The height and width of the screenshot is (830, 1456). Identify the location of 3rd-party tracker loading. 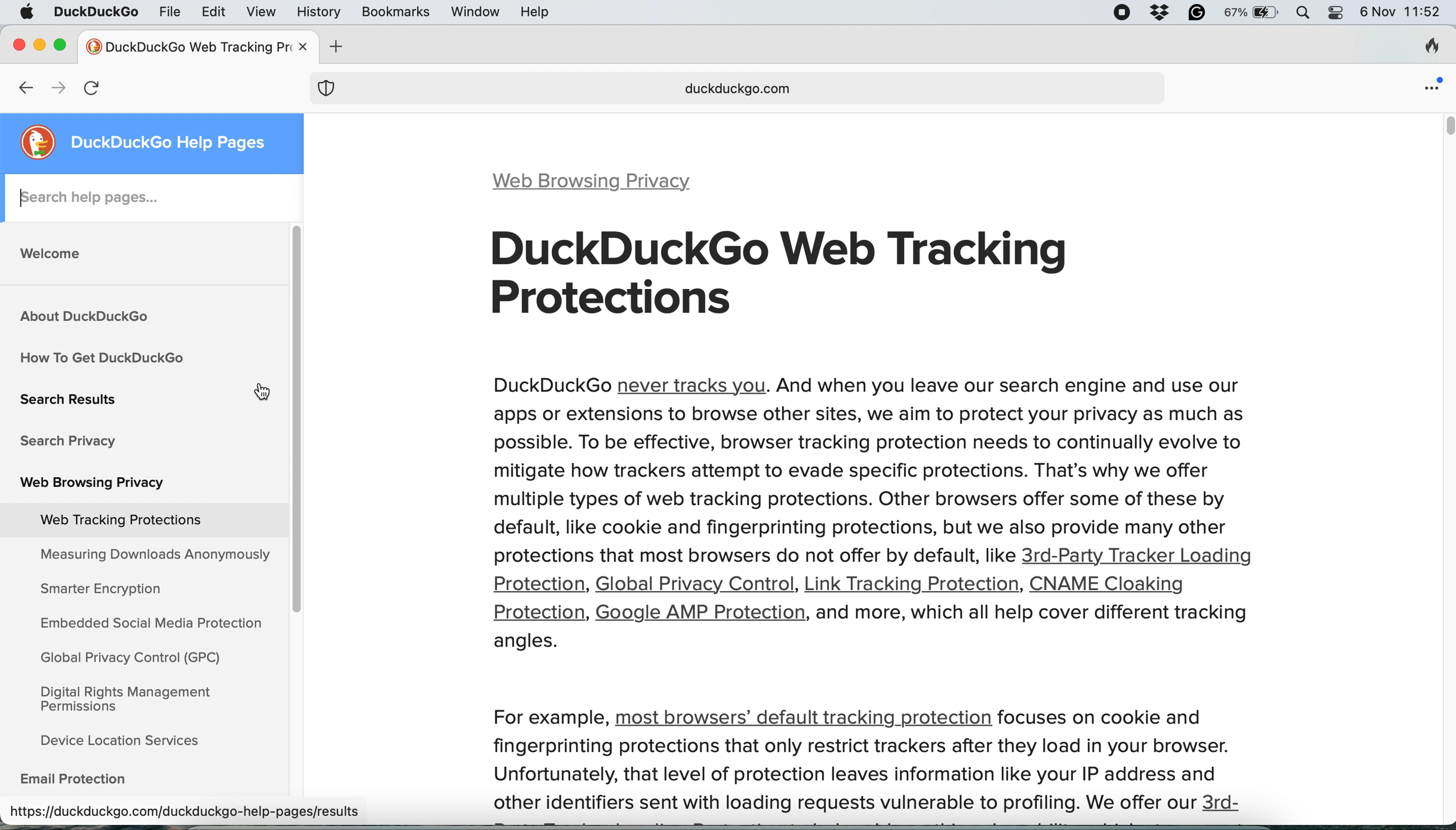
(1138, 555).